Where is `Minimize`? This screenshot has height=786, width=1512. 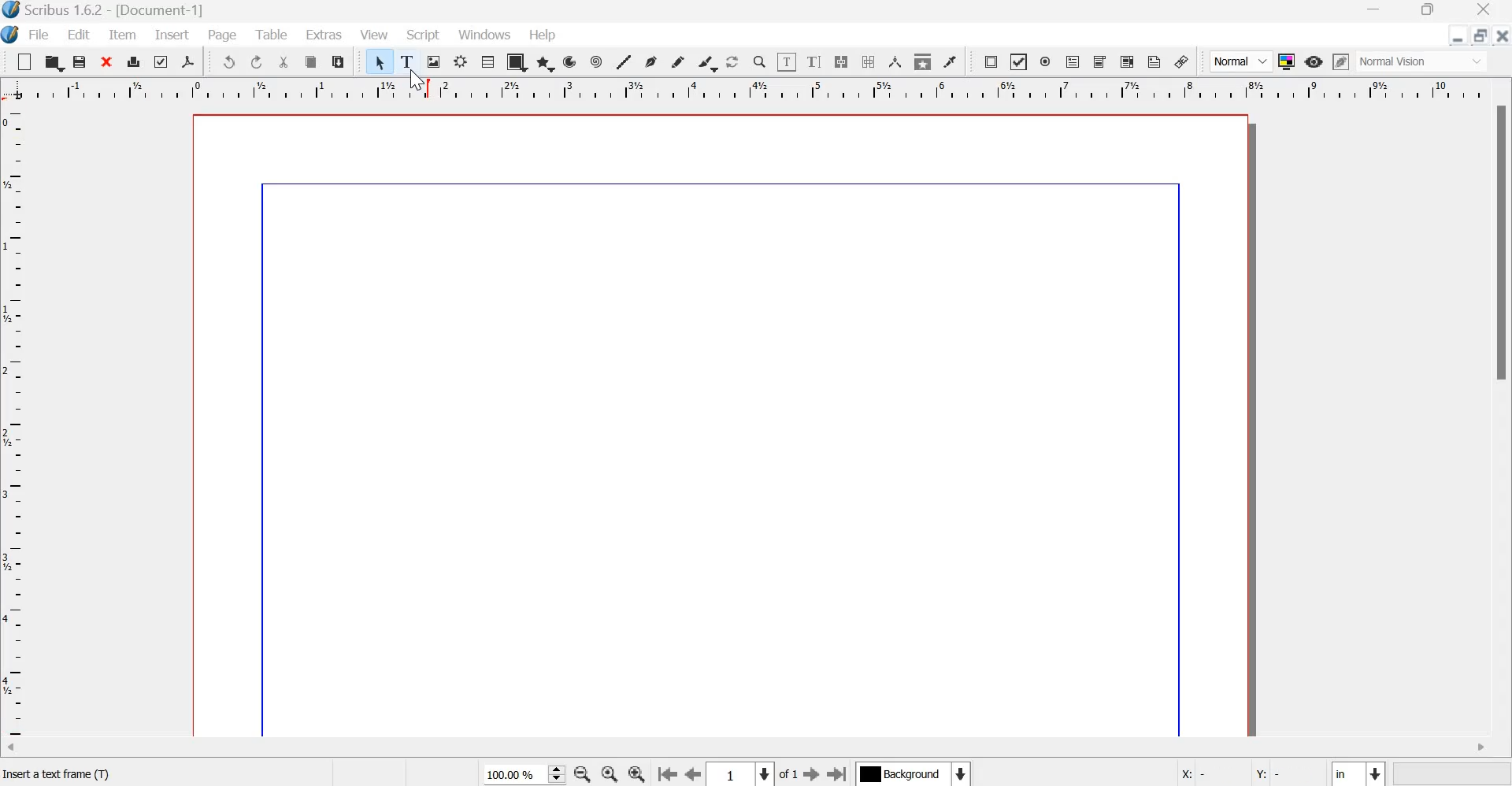
Minimize is located at coordinates (1374, 11).